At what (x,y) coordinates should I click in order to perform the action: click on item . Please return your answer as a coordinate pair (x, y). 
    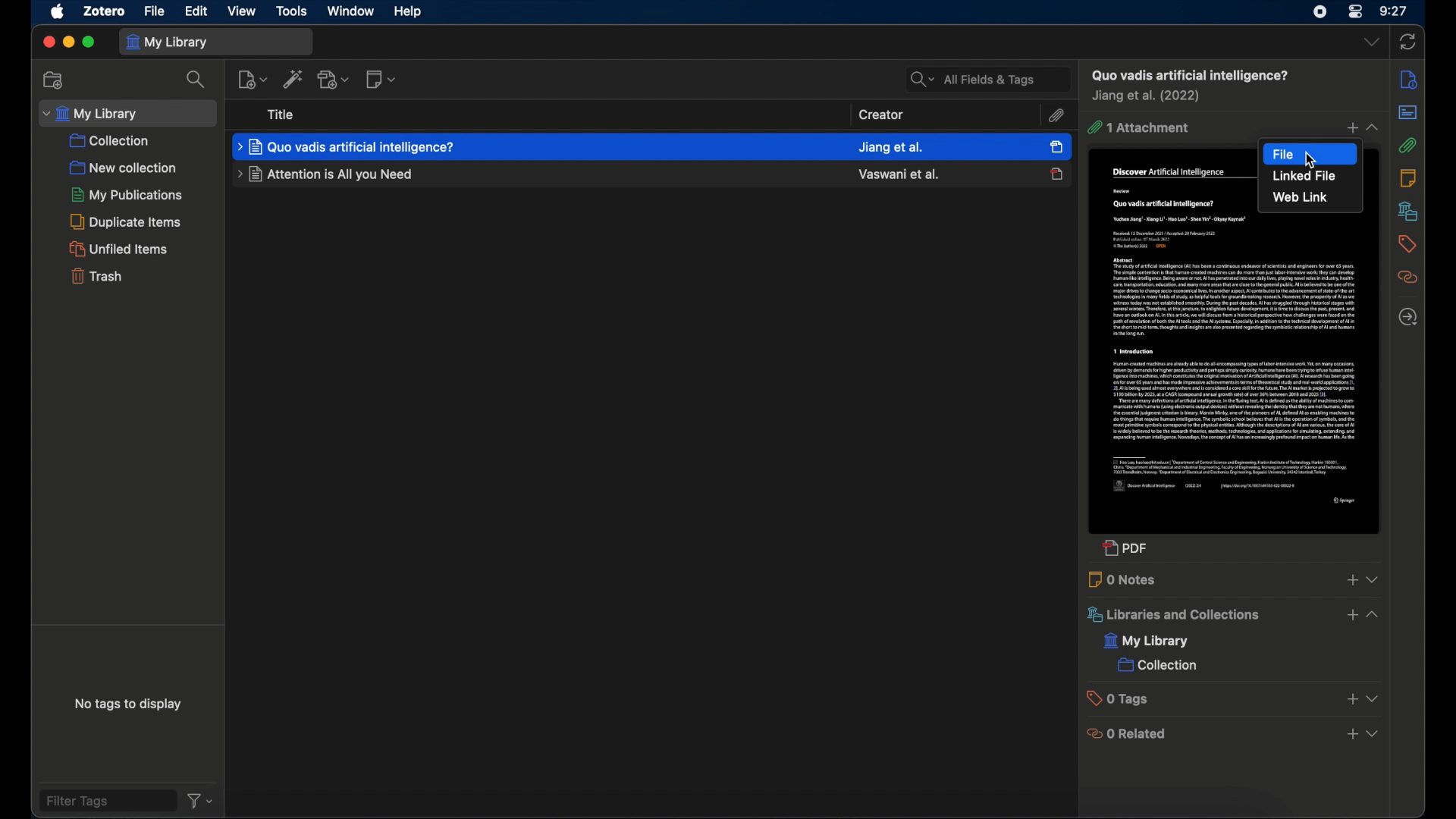
    Looking at the image, I should click on (1188, 75).